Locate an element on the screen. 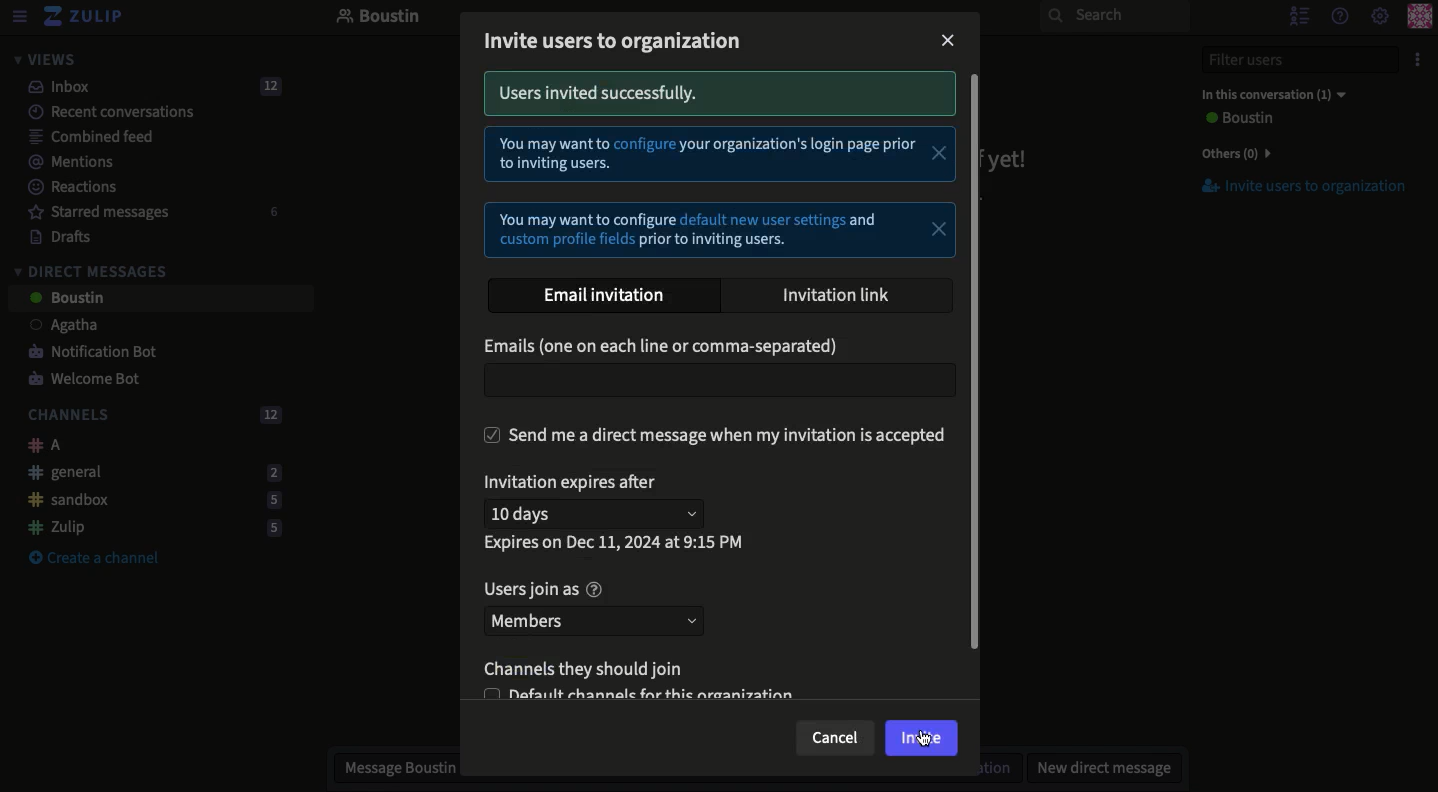 The image size is (1438, 792). User is located at coordinates (1236, 119).